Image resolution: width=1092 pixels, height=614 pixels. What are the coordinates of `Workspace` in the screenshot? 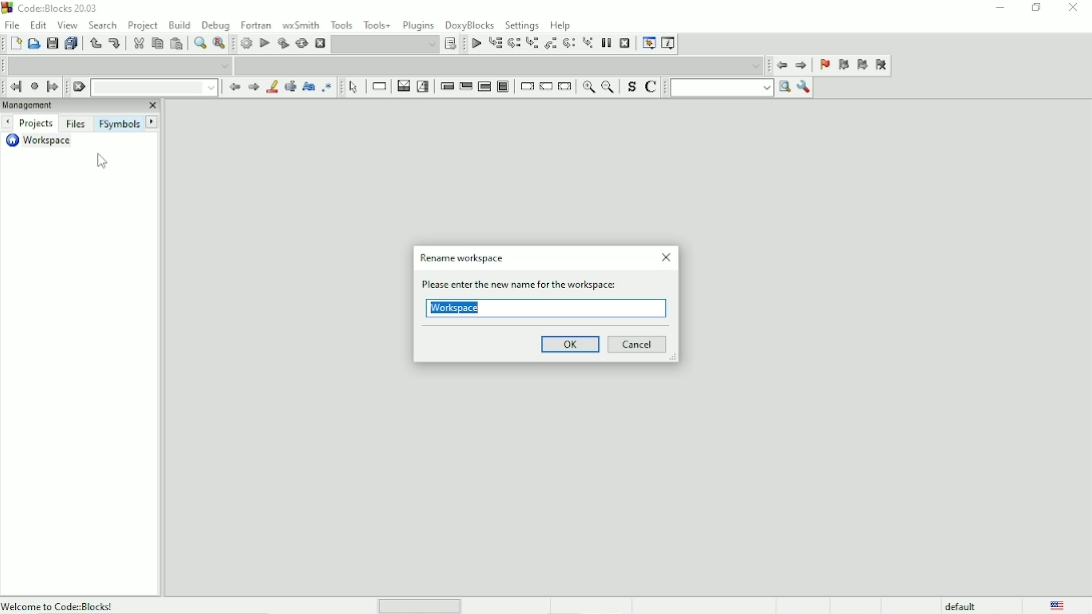 It's located at (455, 309).